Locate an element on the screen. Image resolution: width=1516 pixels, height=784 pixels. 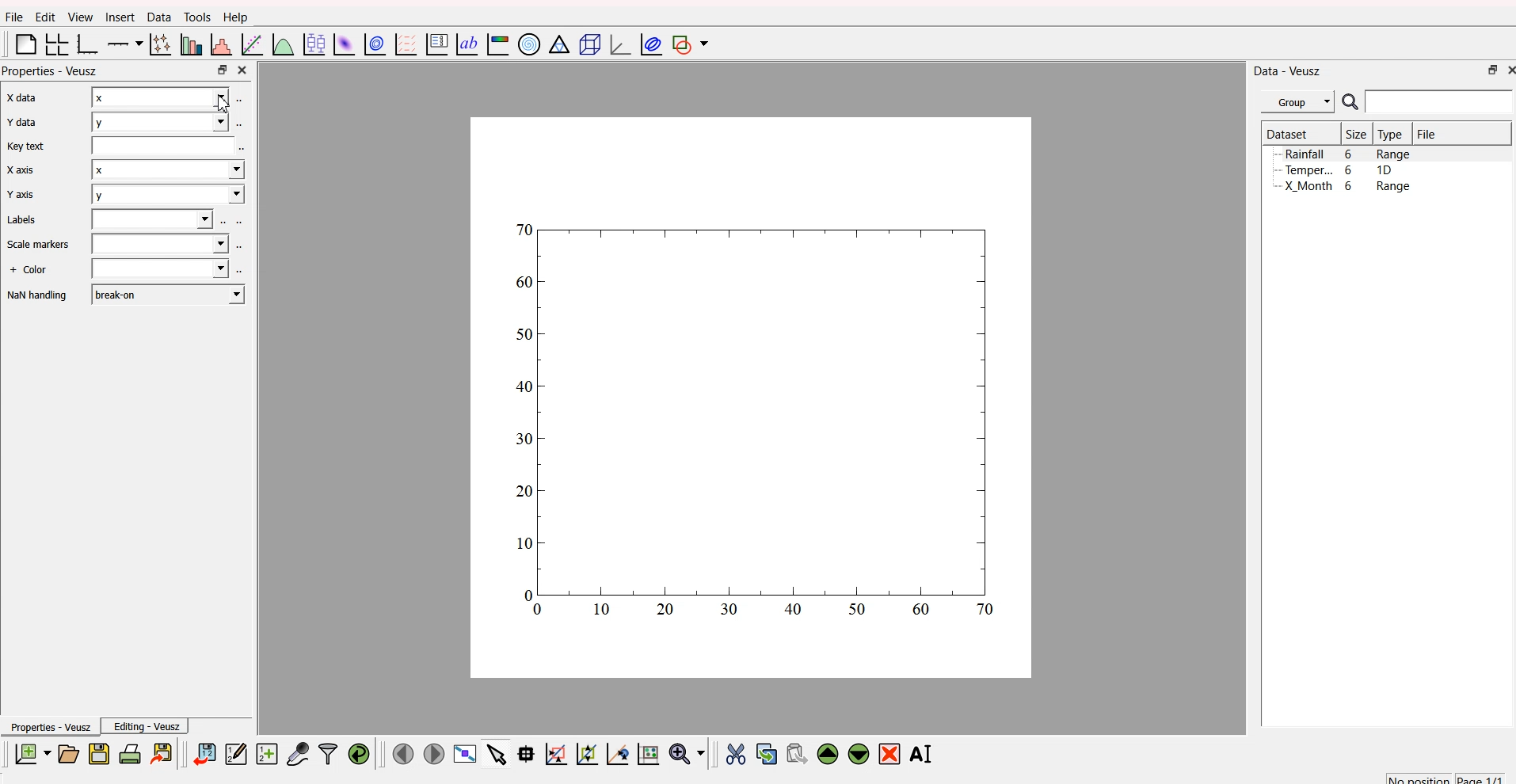
y is located at coordinates (166, 196).